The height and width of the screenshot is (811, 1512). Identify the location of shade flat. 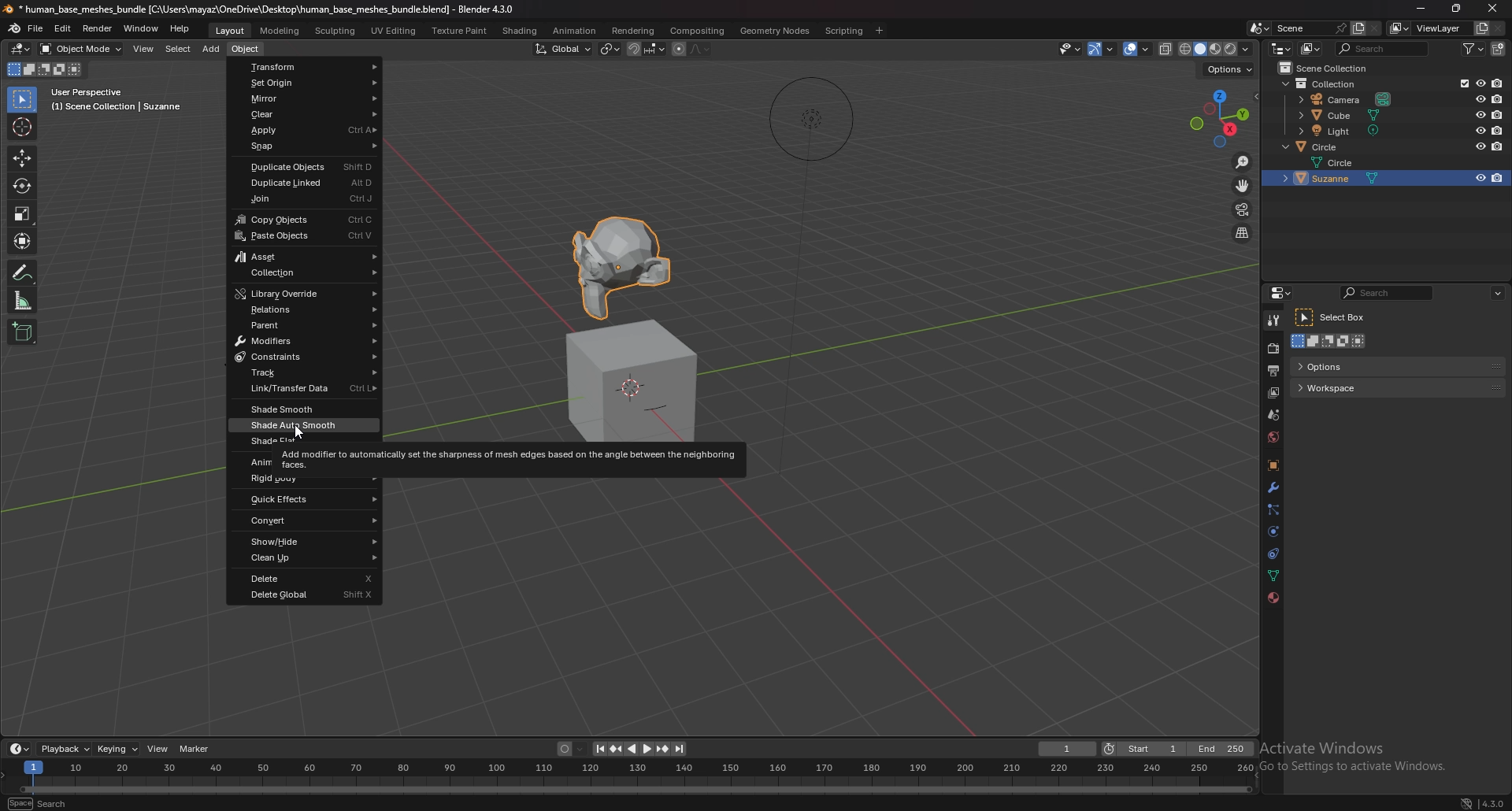
(304, 442).